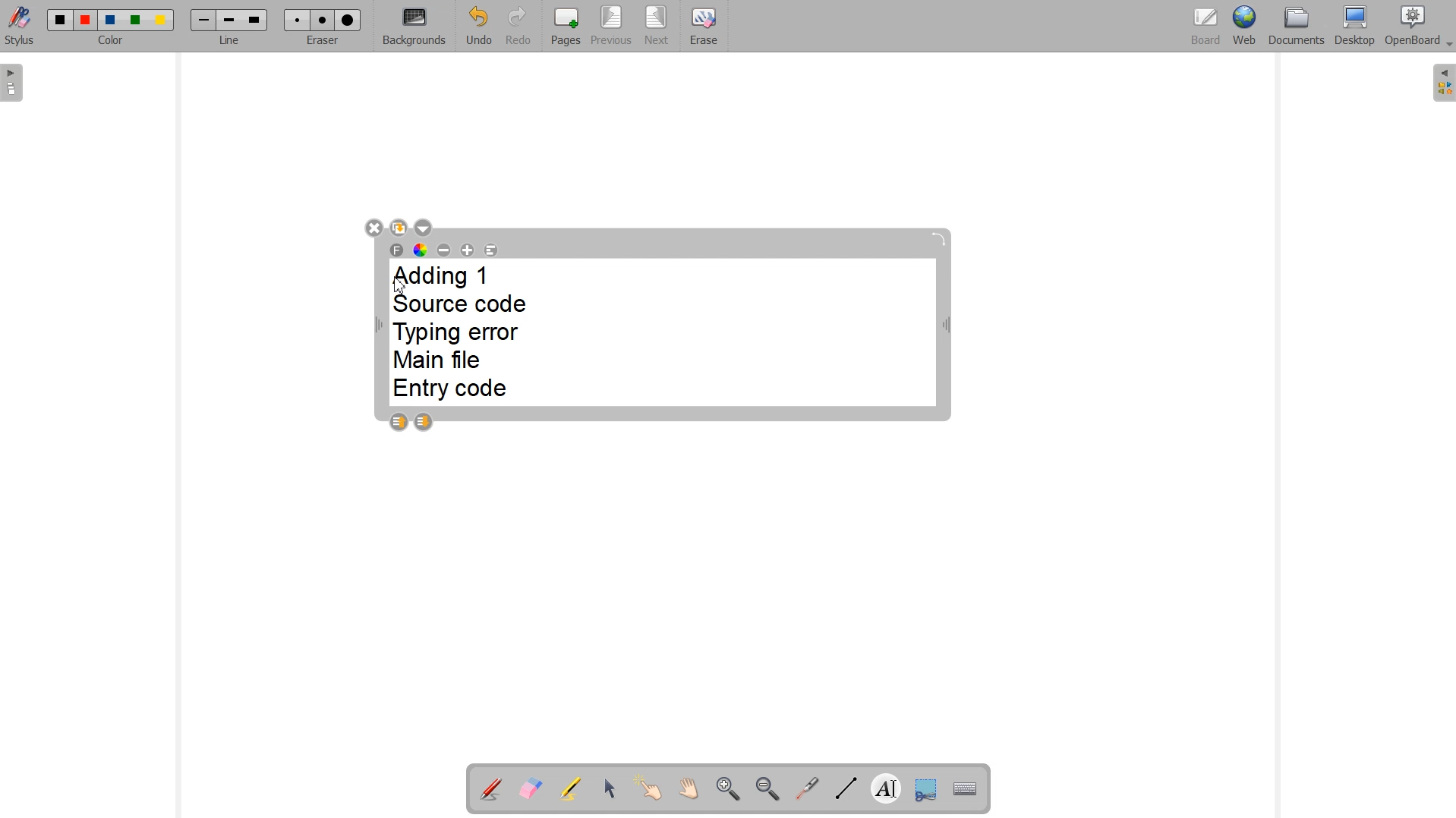  I want to click on Interact with items, so click(650, 790).